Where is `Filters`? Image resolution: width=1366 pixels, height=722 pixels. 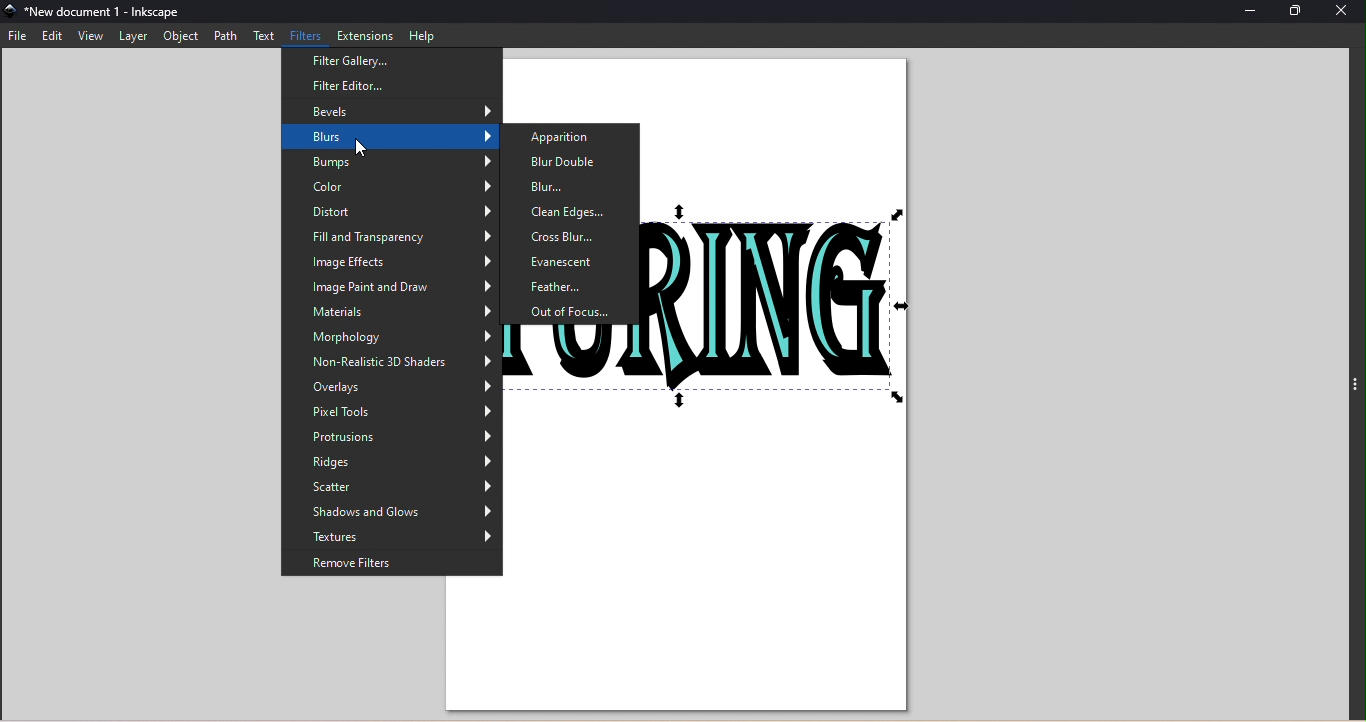 Filters is located at coordinates (302, 36).